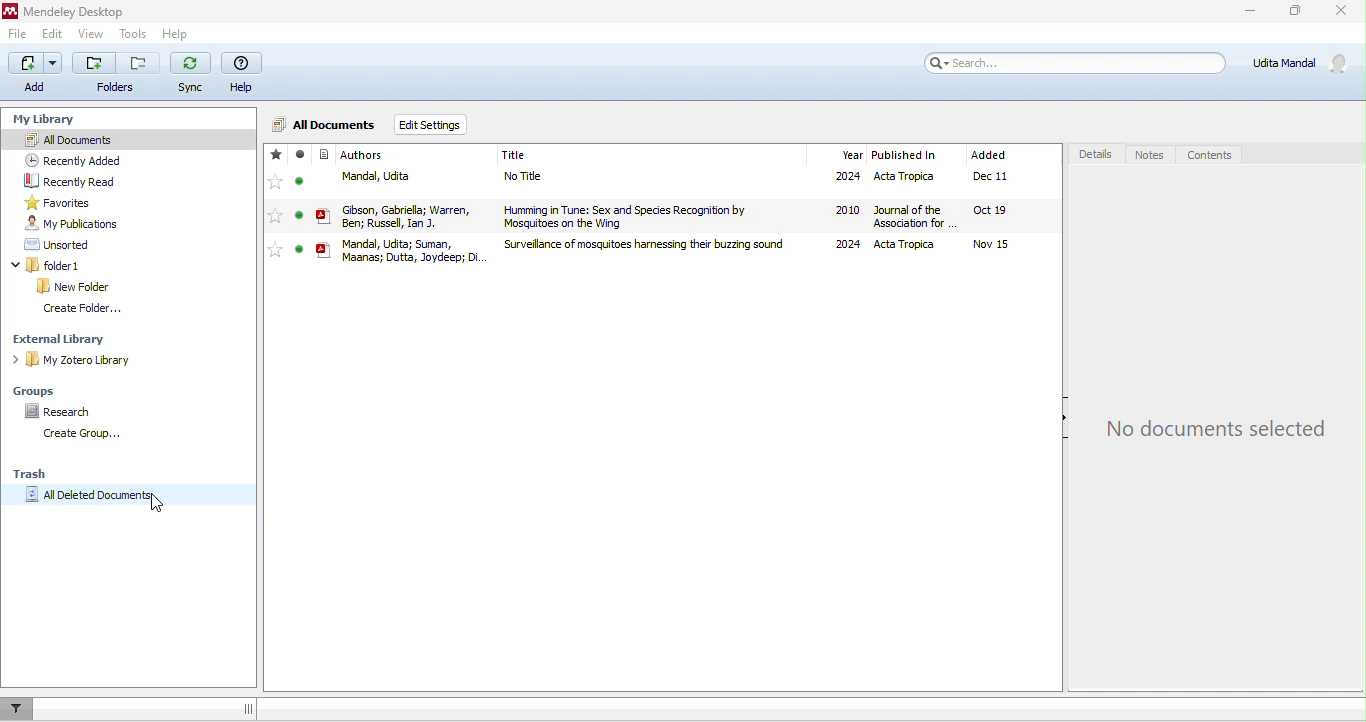 This screenshot has height=722, width=1366. What do you see at coordinates (40, 473) in the screenshot?
I see `trash` at bounding box center [40, 473].